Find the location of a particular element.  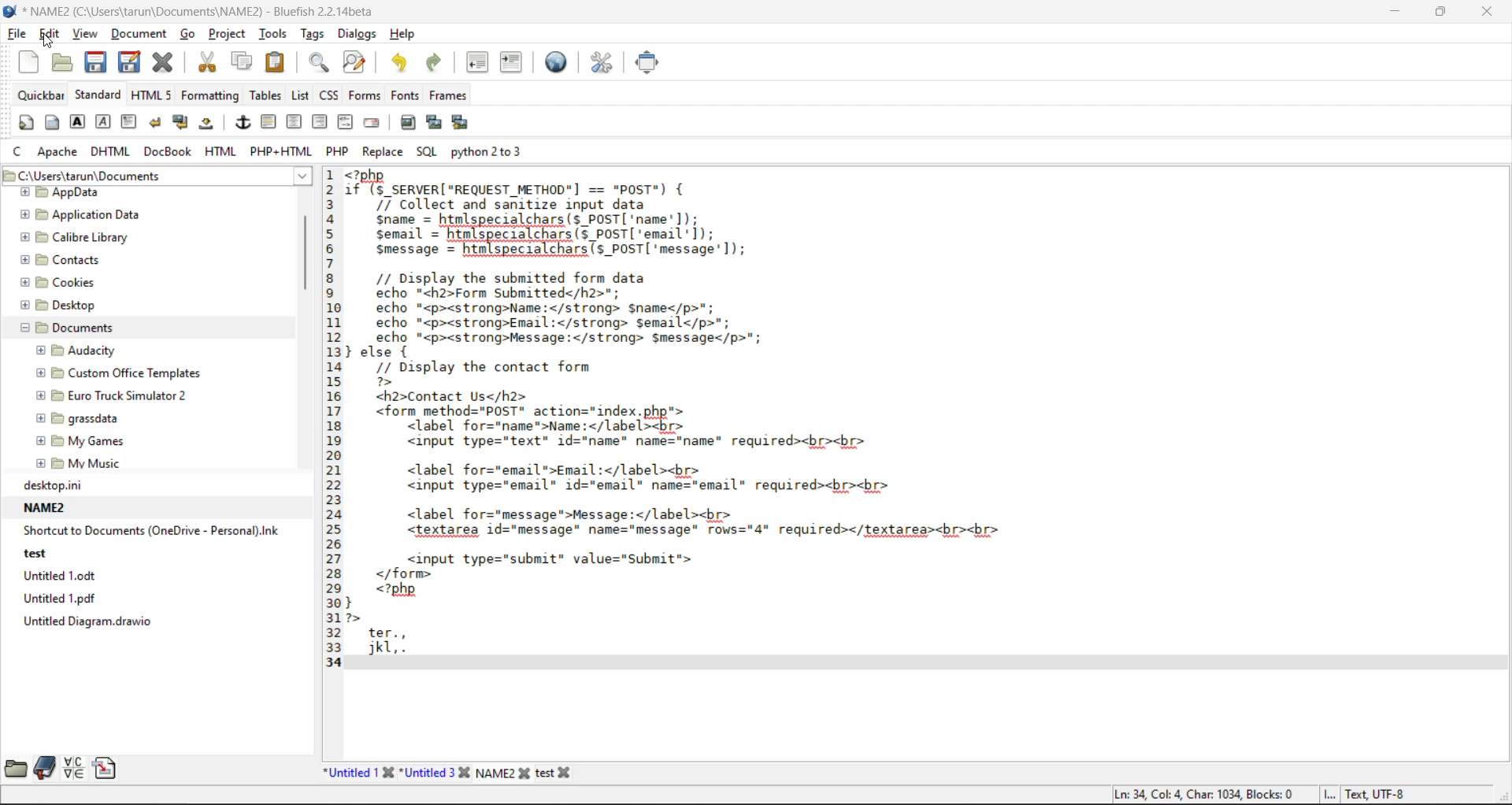

metadata is located at coordinates (1259, 793).